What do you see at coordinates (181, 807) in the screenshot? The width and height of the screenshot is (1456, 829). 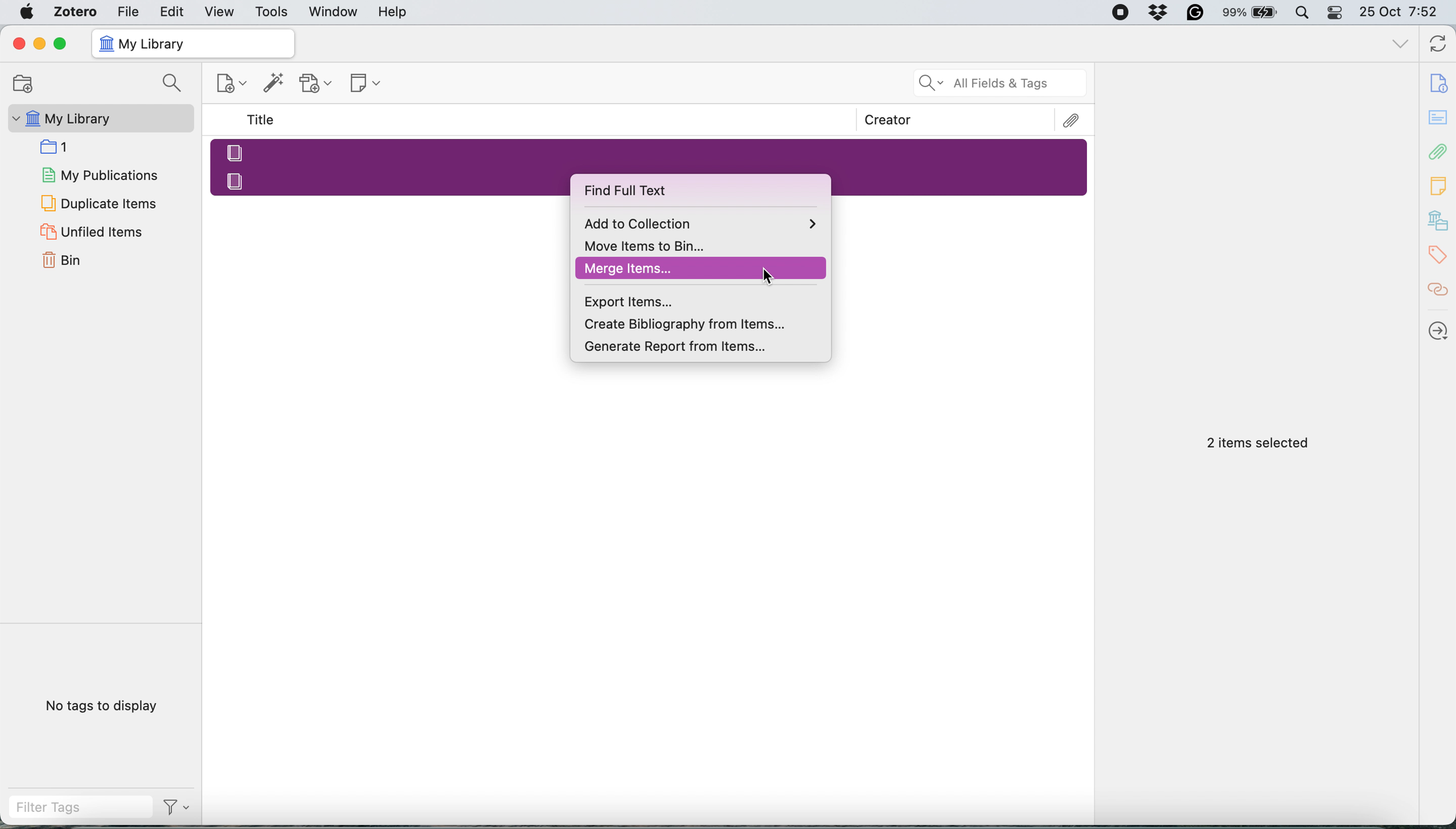 I see `Filter Options` at bounding box center [181, 807].